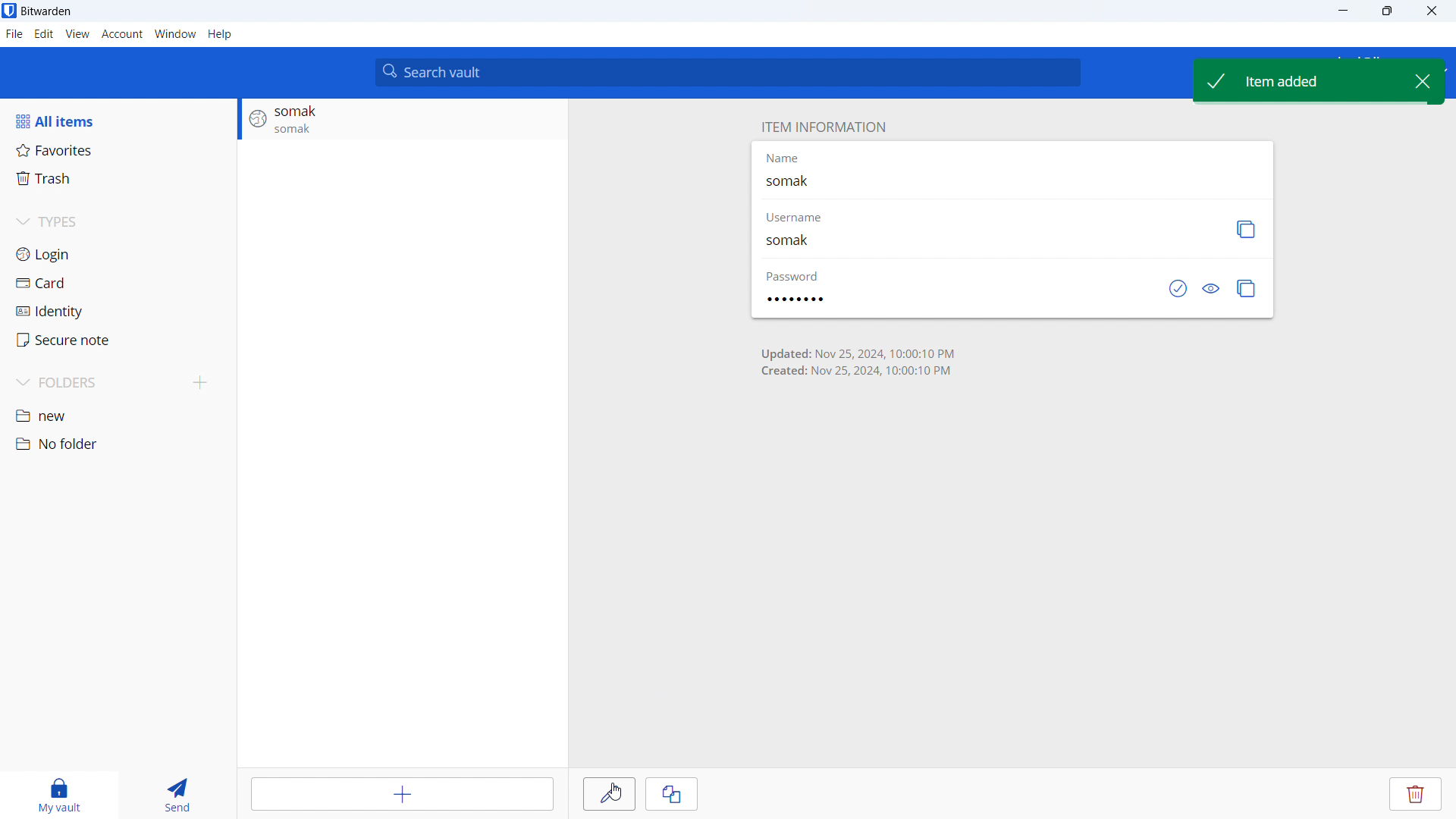 The image size is (1456, 819). What do you see at coordinates (1432, 11) in the screenshot?
I see `close` at bounding box center [1432, 11].